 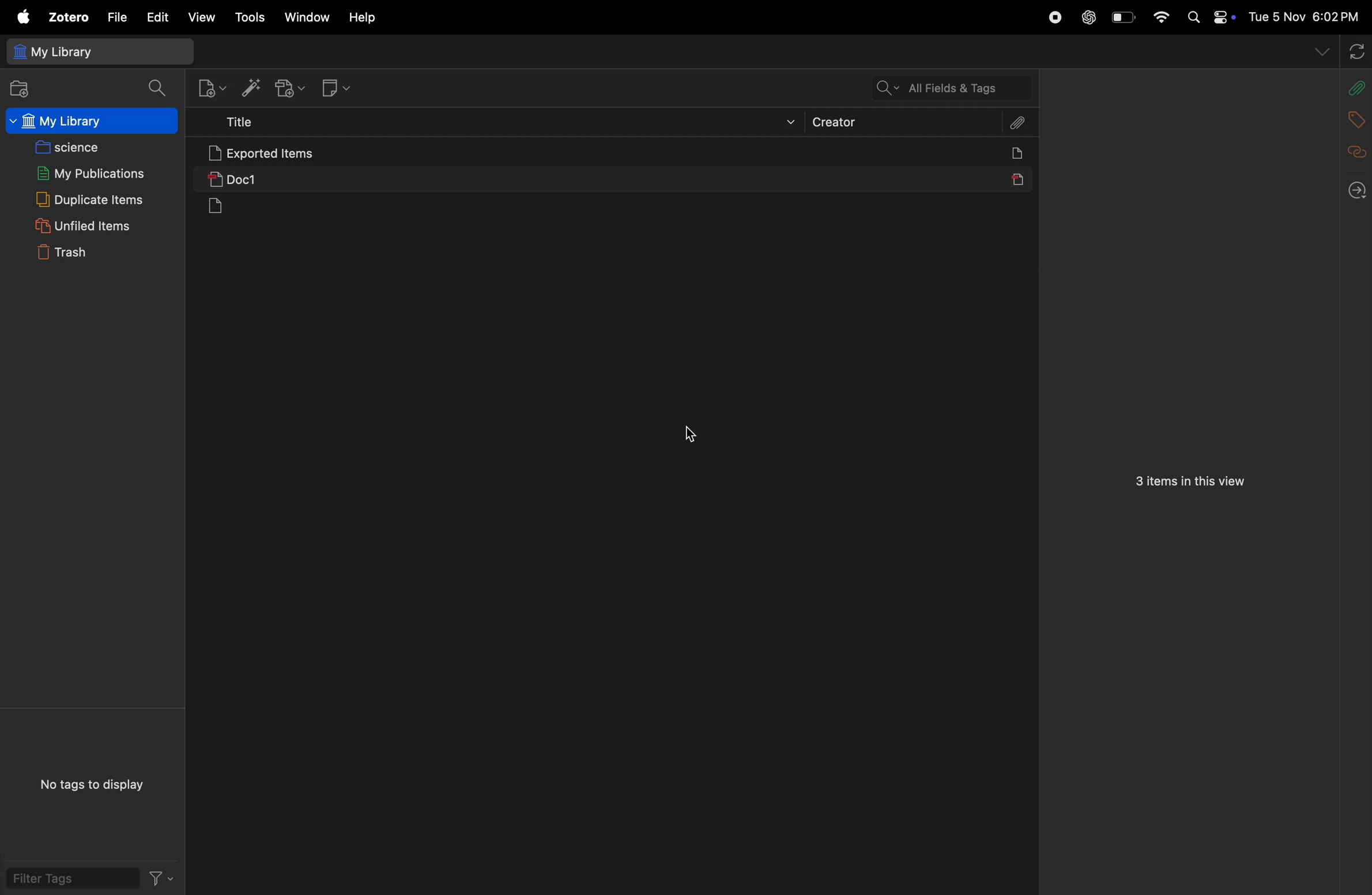 I want to click on my publications, so click(x=84, y=172).